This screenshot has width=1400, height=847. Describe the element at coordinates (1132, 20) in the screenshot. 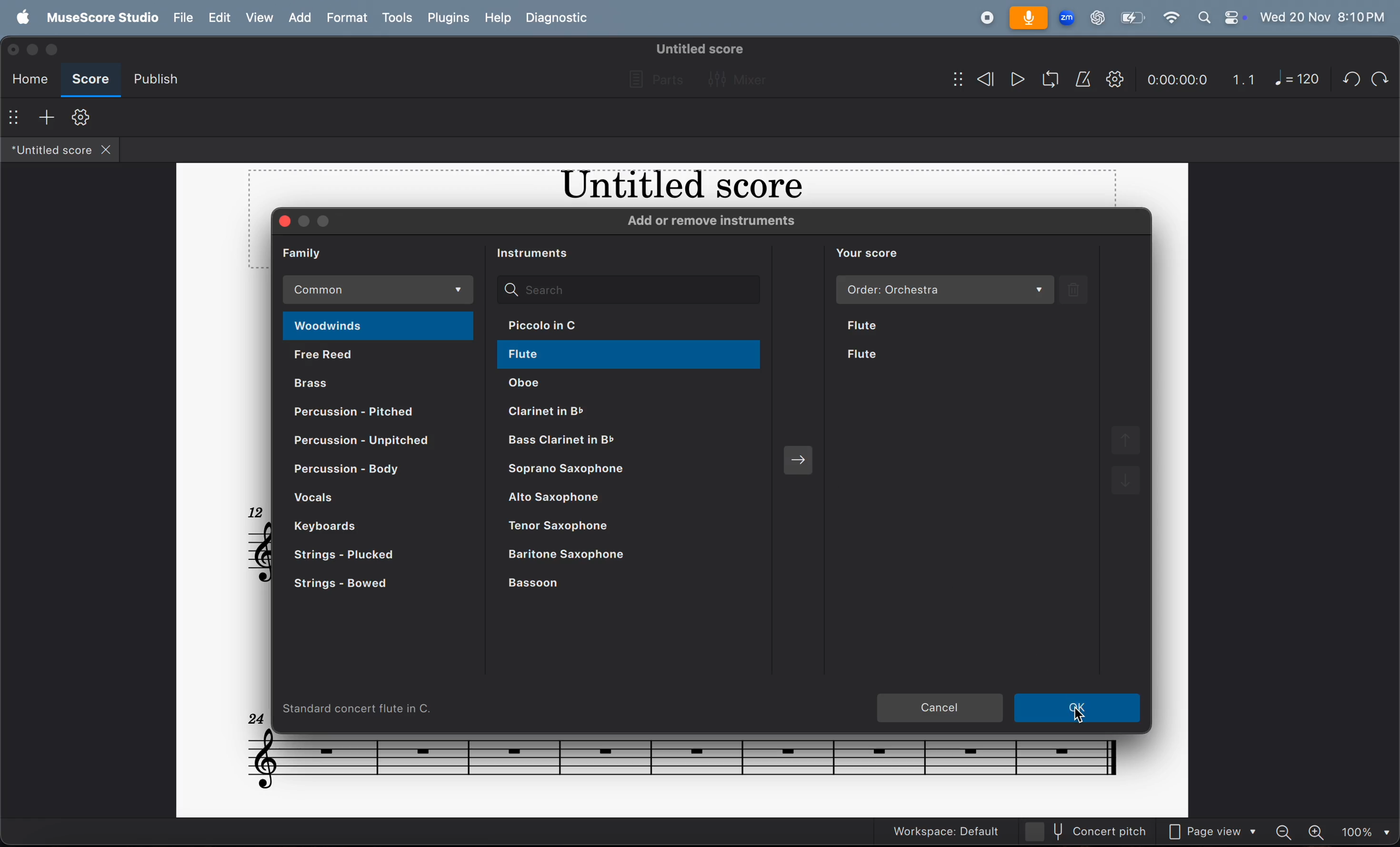

I see `battery` at that location.